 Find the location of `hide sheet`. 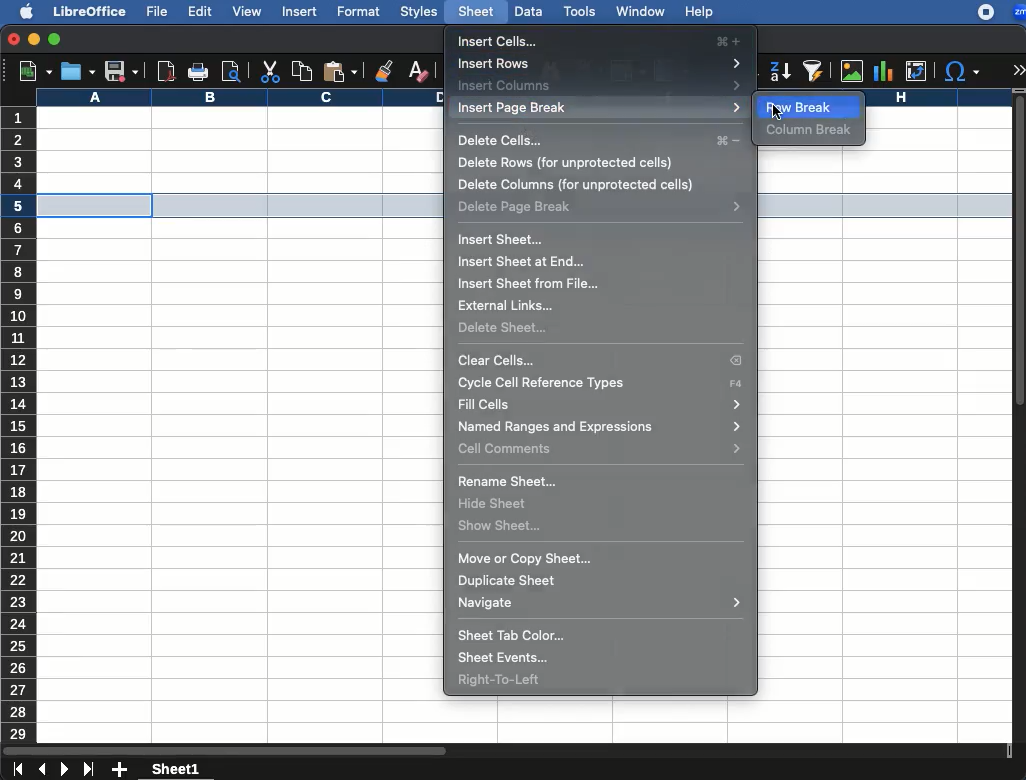

hide sheet is located at coordinates (493, 504).